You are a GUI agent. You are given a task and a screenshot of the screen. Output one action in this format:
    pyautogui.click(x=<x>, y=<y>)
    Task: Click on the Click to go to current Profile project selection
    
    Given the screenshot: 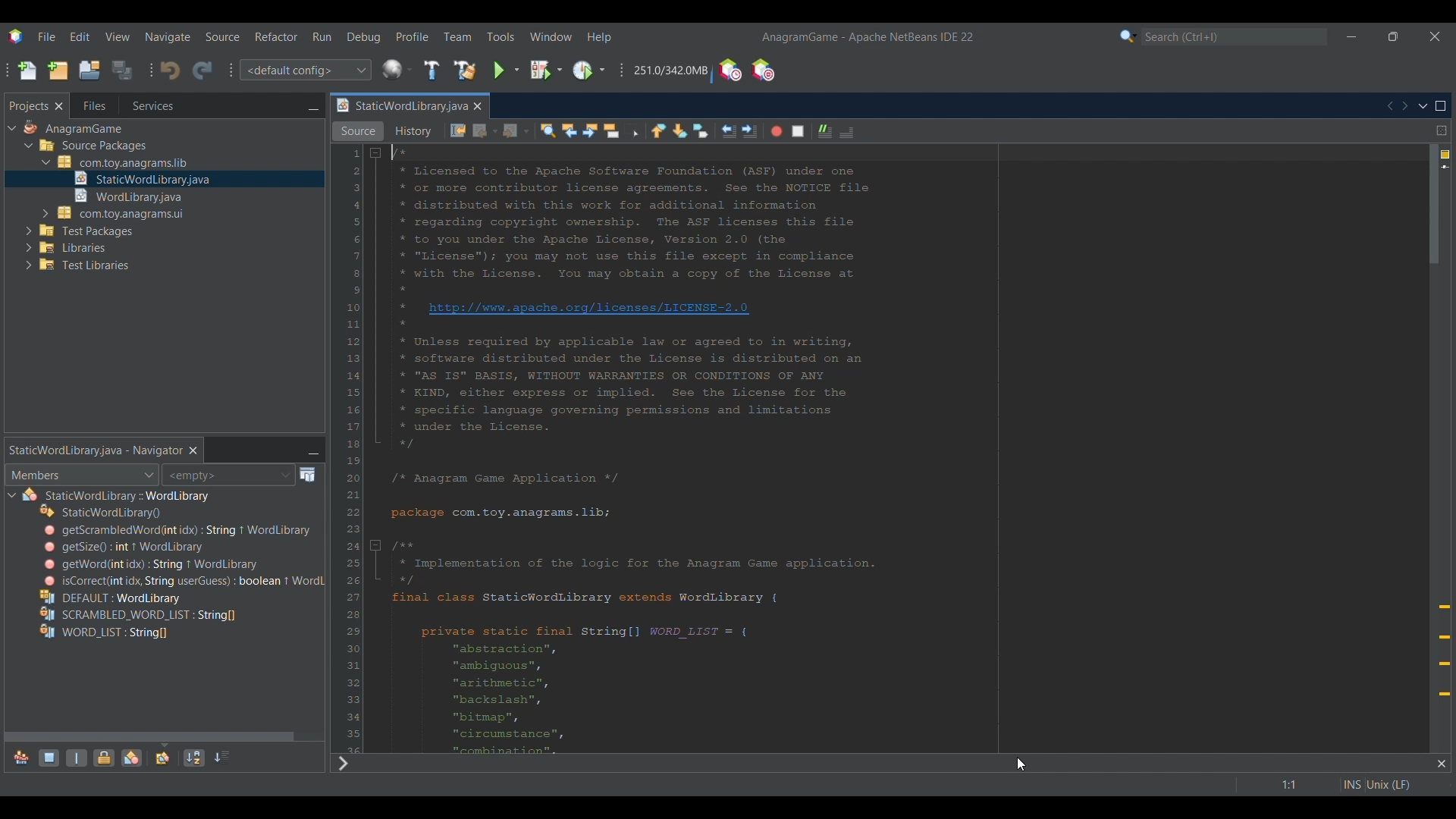 What is the action you would take?
    pyautogui.click(x=582, y=71)
    